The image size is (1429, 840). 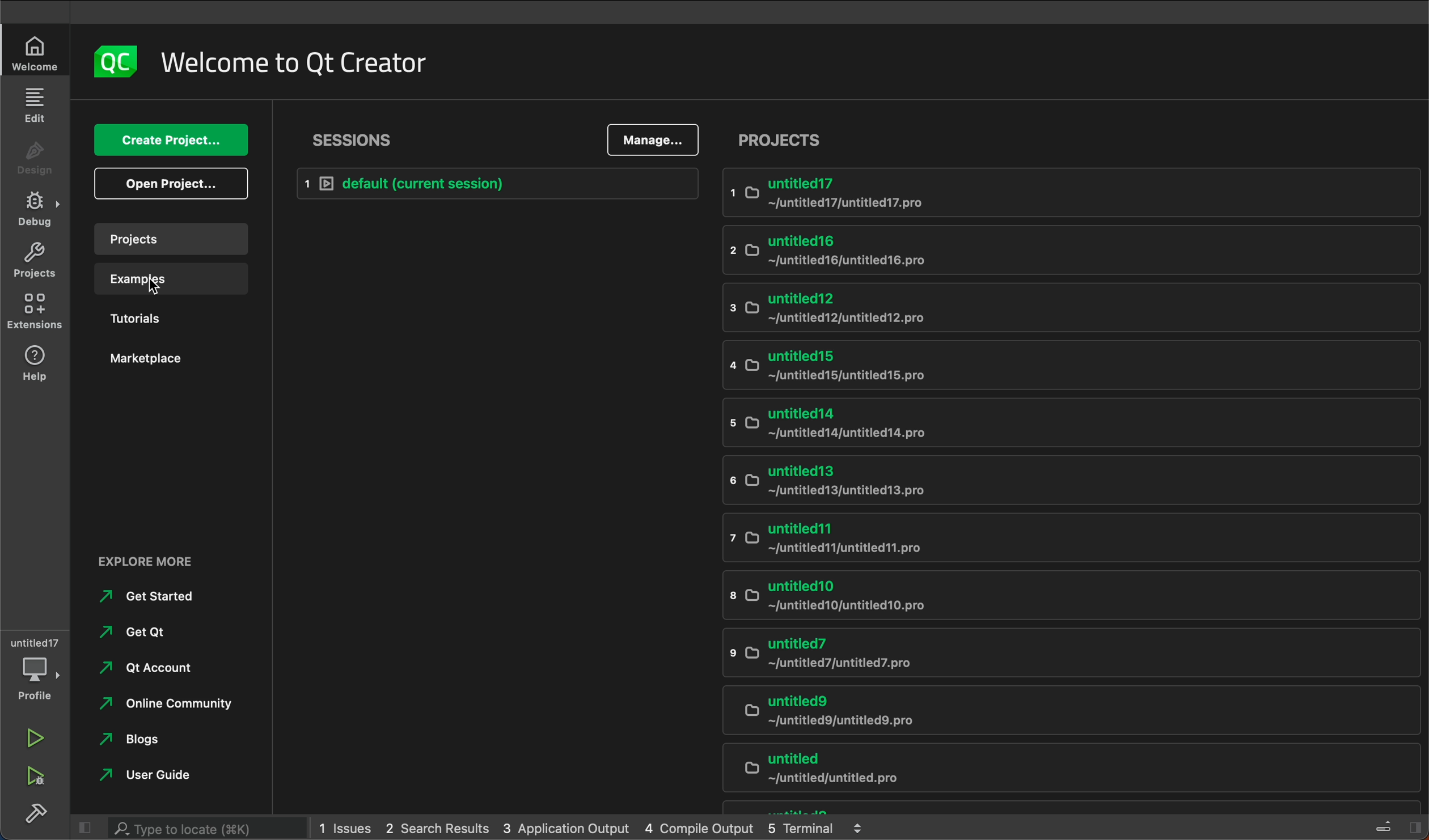 I want to click on qt account, so click(x=159, y=667).